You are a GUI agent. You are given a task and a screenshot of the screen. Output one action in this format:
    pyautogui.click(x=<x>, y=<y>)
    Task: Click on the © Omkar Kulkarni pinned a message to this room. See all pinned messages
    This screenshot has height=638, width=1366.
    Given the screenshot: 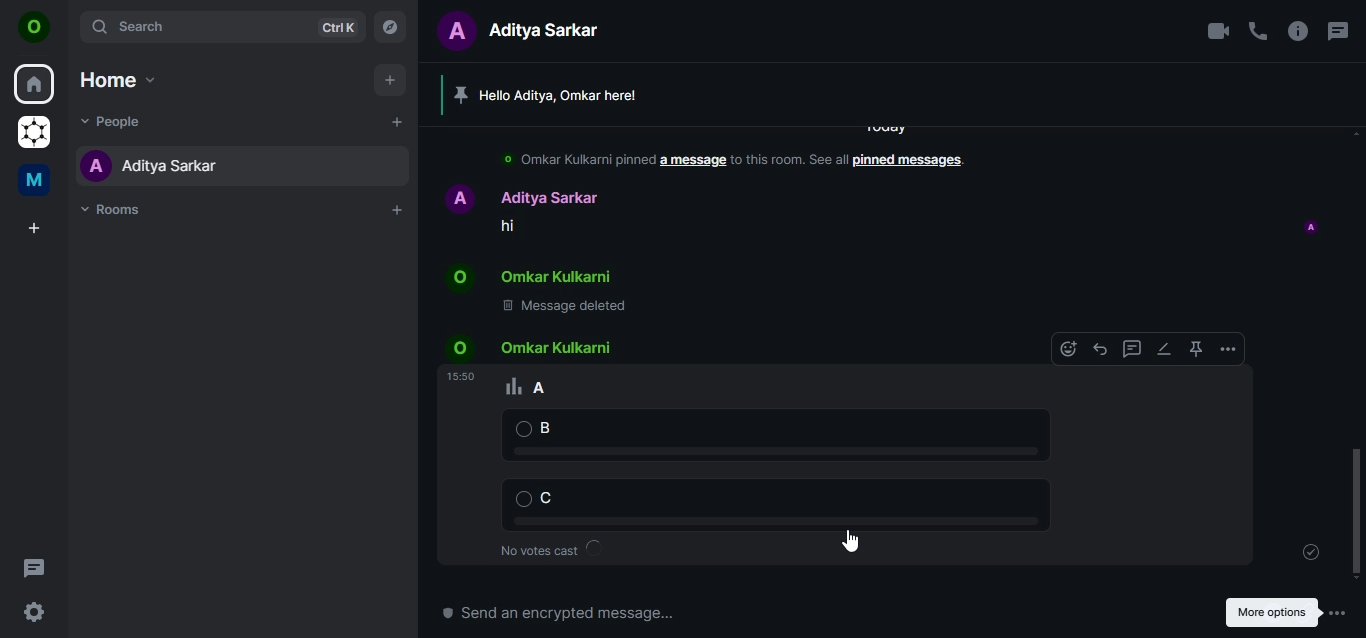 What is the action you would take?
    pyautogui.click(x=569, y=161)
    